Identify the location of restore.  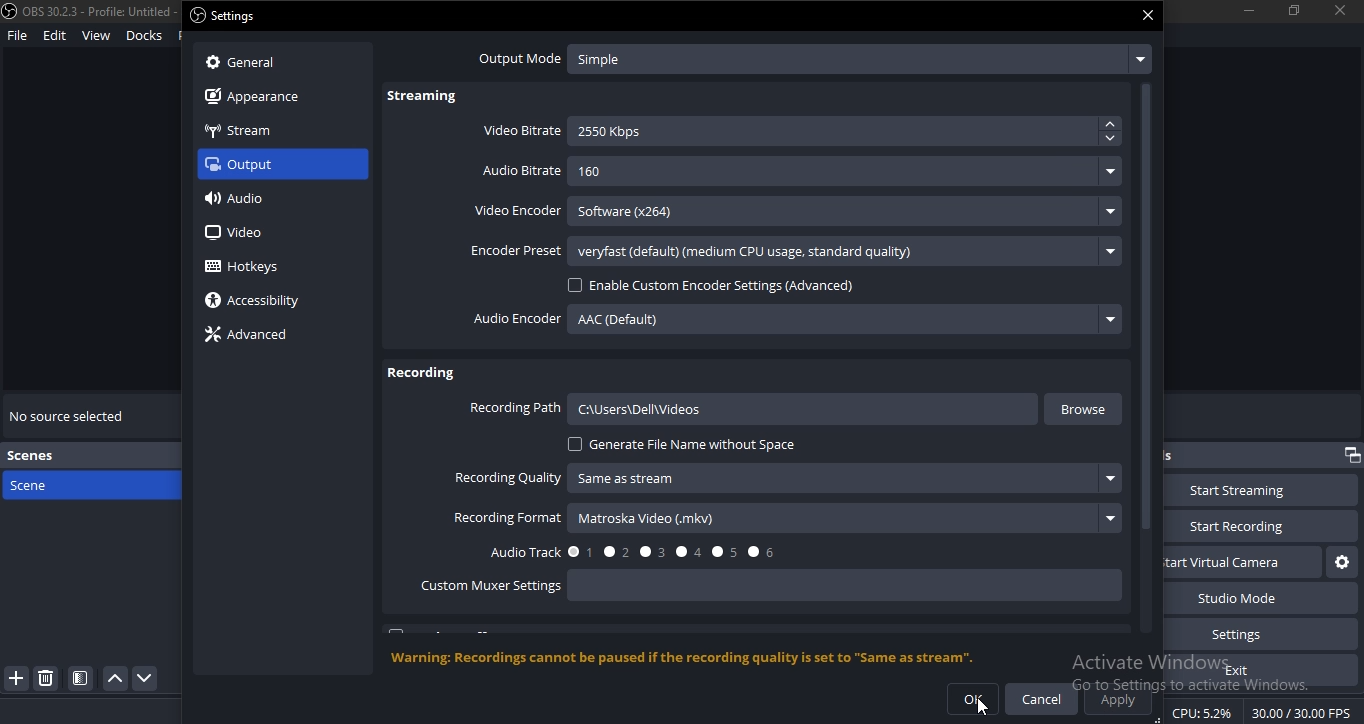
(1350, 455).